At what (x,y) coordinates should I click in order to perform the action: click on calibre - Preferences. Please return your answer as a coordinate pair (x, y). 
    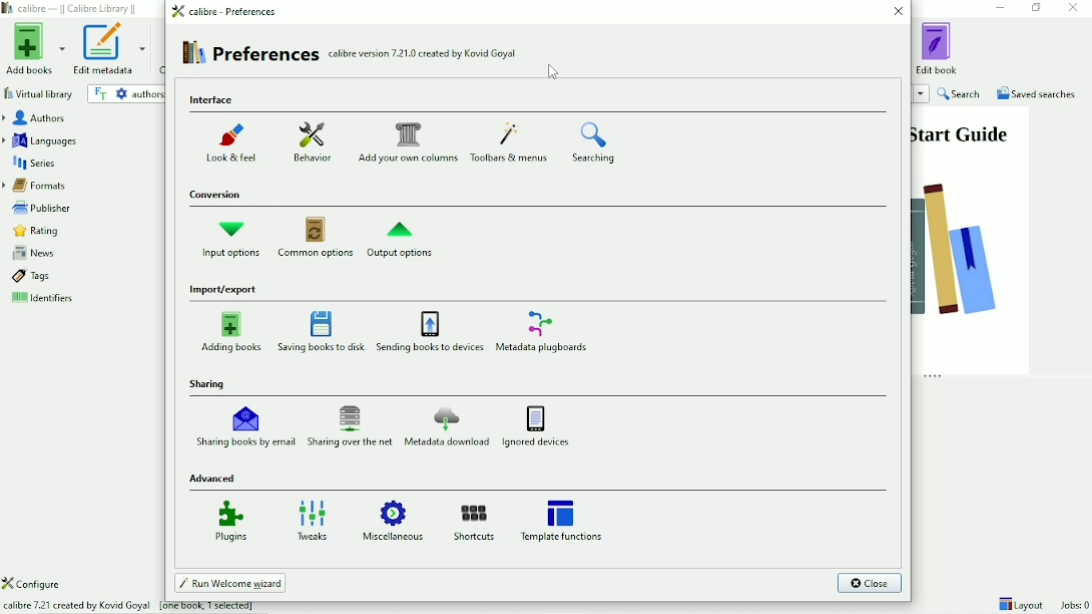
    Looking at the image, I should click on (227, 11).